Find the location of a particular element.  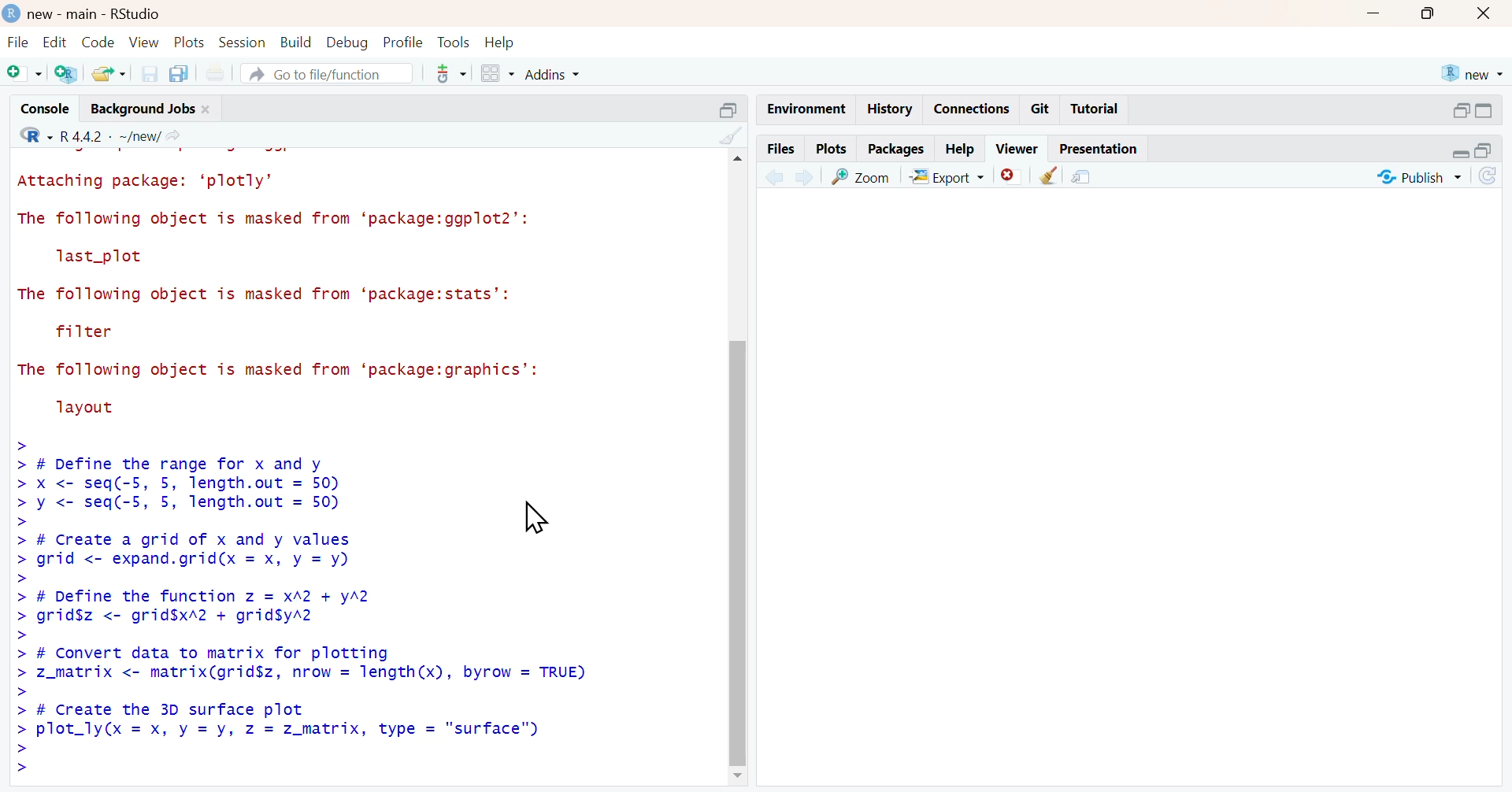

> plot_ly(x = x, y=y, z = z_matrix, type = "surface") is located at coordinates (307, 730).